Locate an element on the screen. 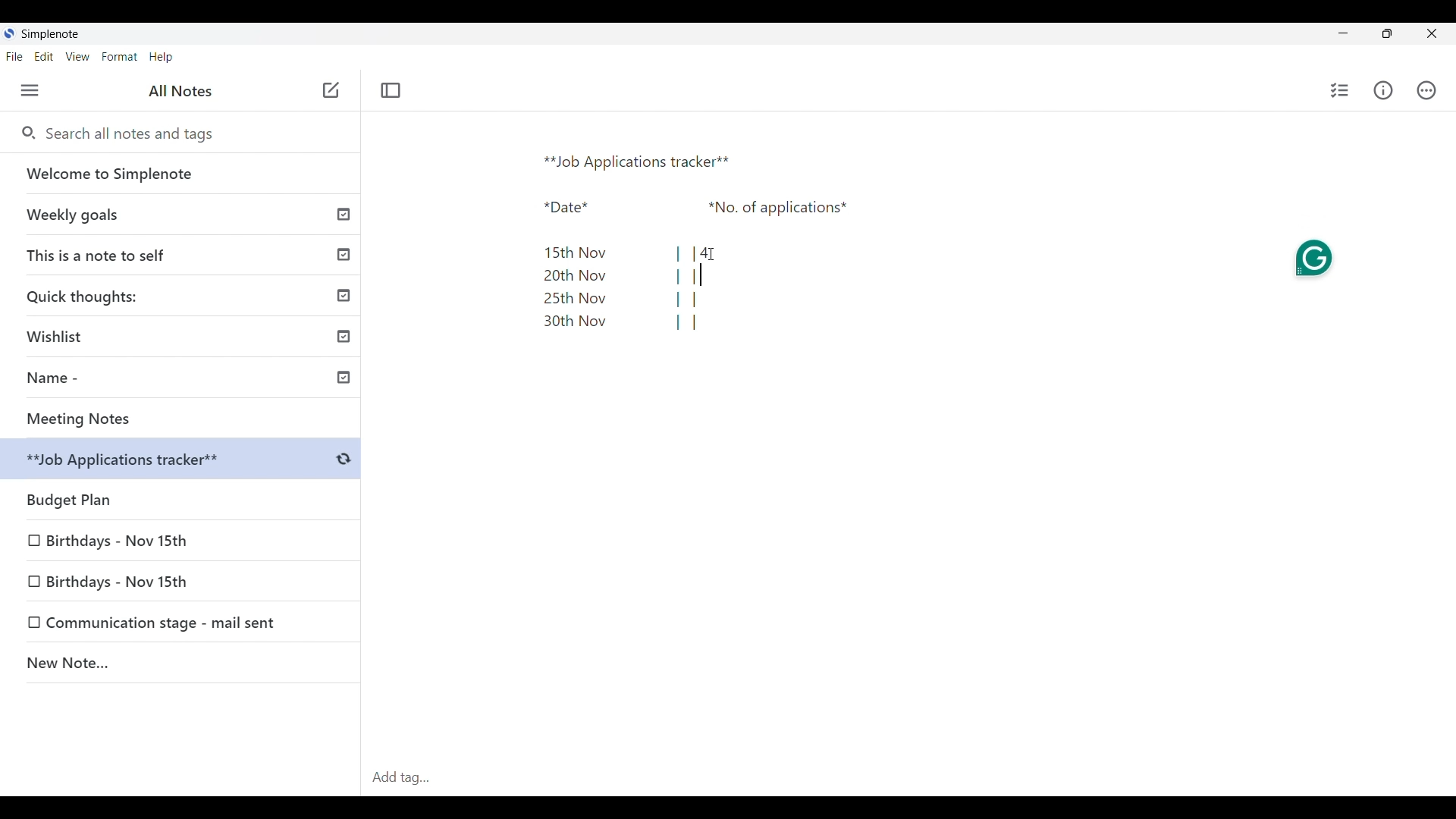 Image resolution: width=1456 pixels, height=819 pixels. Menu is located at coordinates (30, 90).